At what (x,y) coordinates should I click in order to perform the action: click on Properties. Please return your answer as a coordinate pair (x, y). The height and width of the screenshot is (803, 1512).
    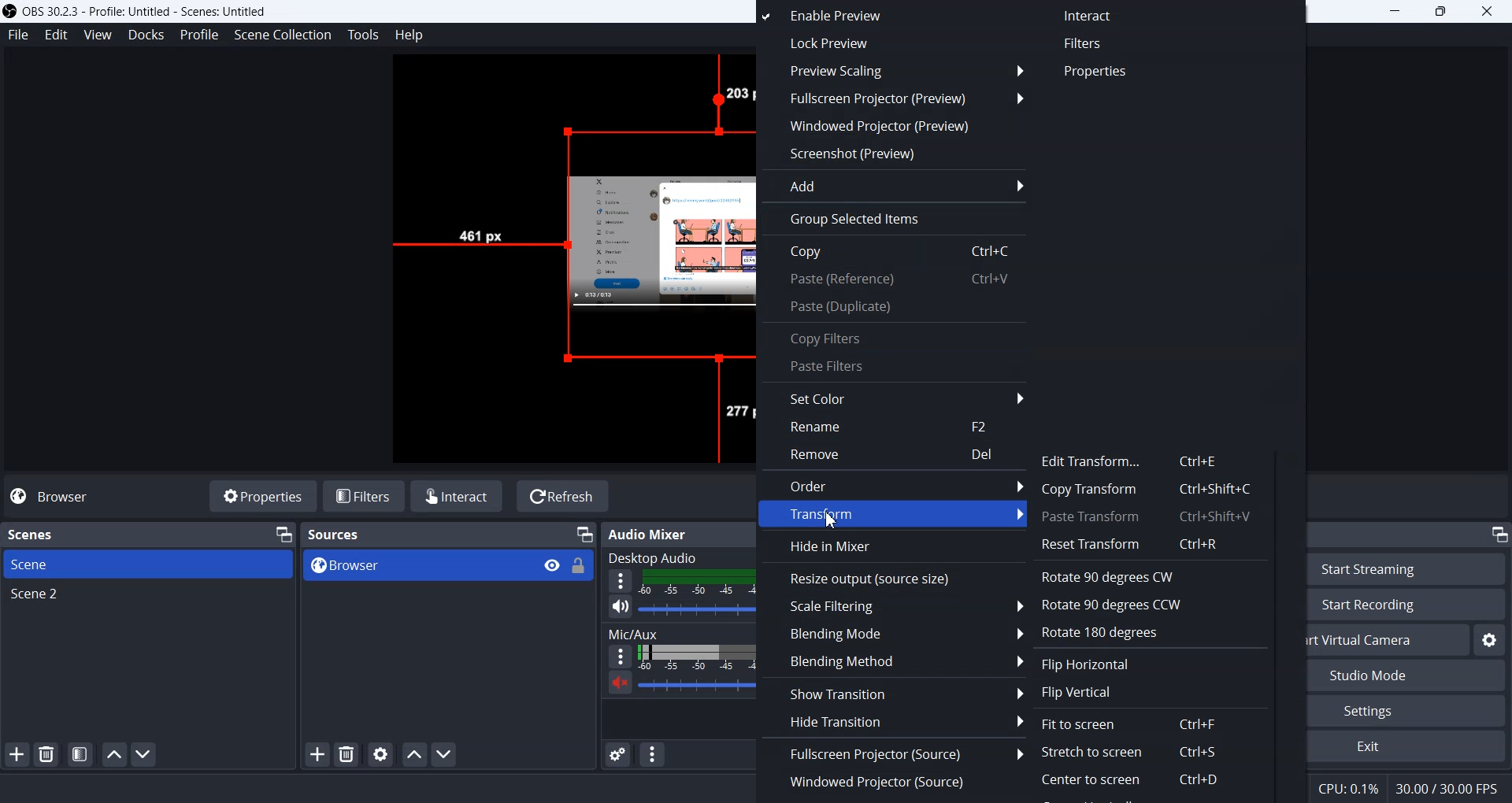
    Looking at the image, I should click on (1096, 72).